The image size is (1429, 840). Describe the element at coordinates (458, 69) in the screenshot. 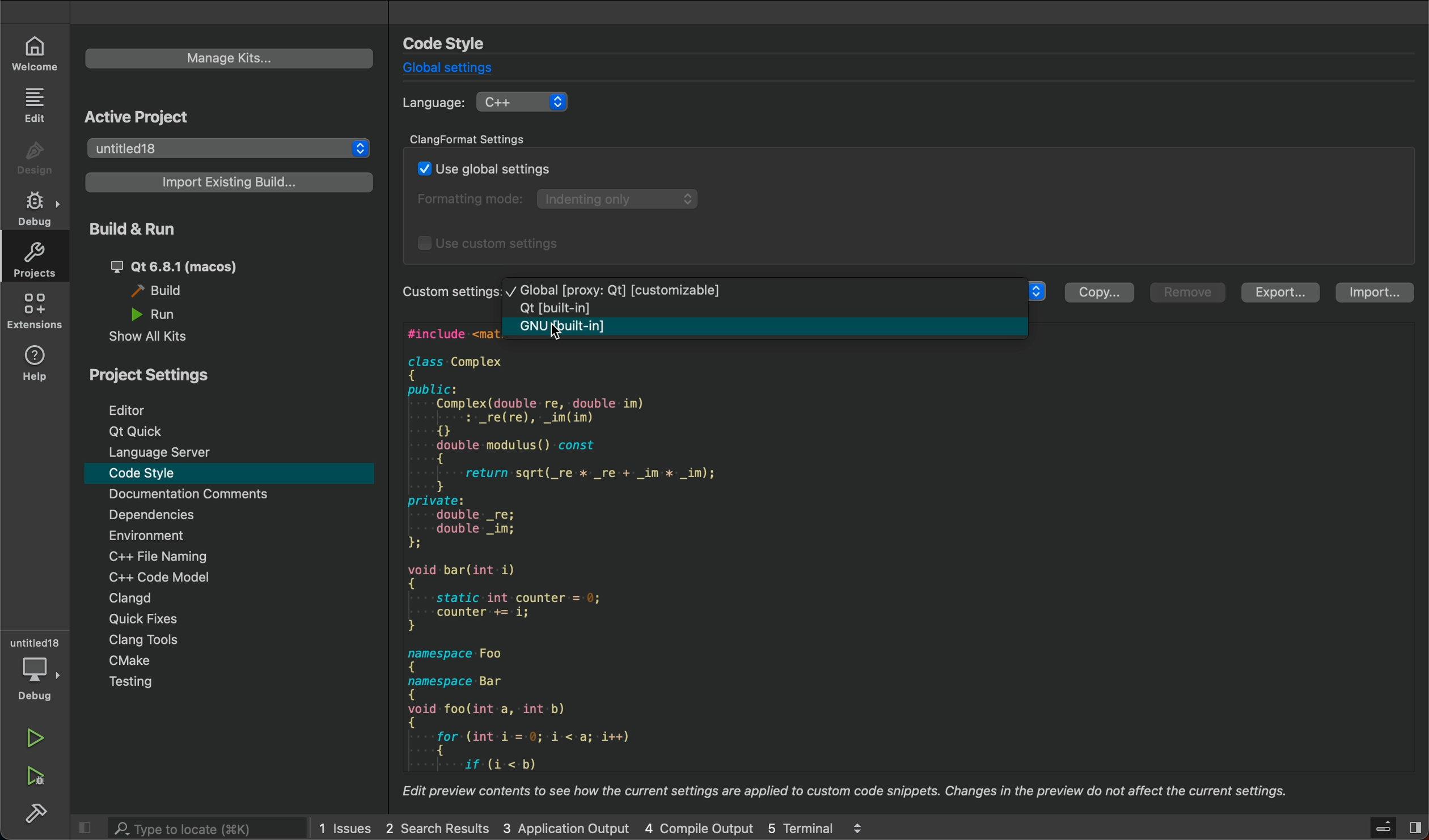

I see `global settings` at that location.